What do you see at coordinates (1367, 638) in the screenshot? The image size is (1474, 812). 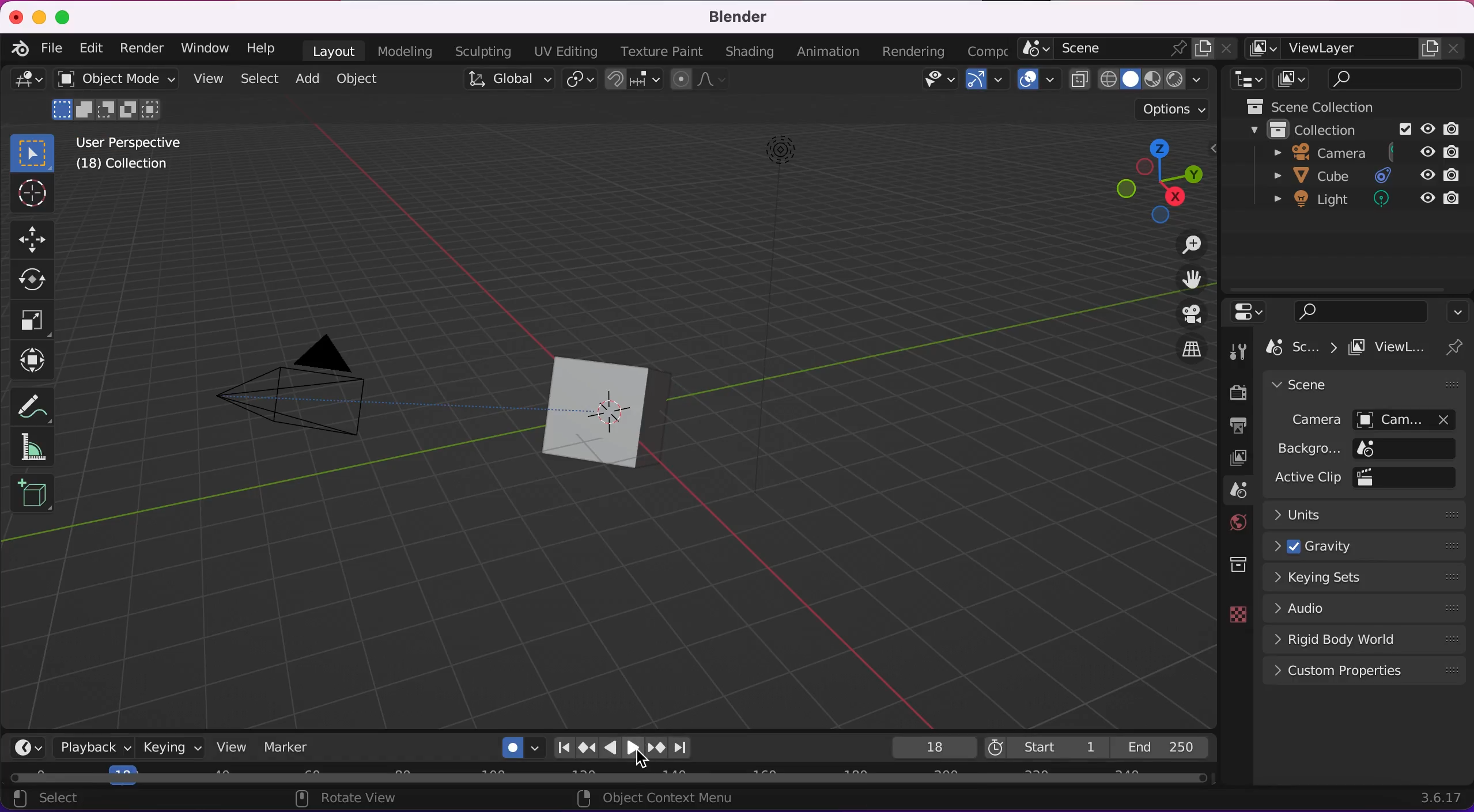 I see `rigid body world` at bounding box center [1367, 638].